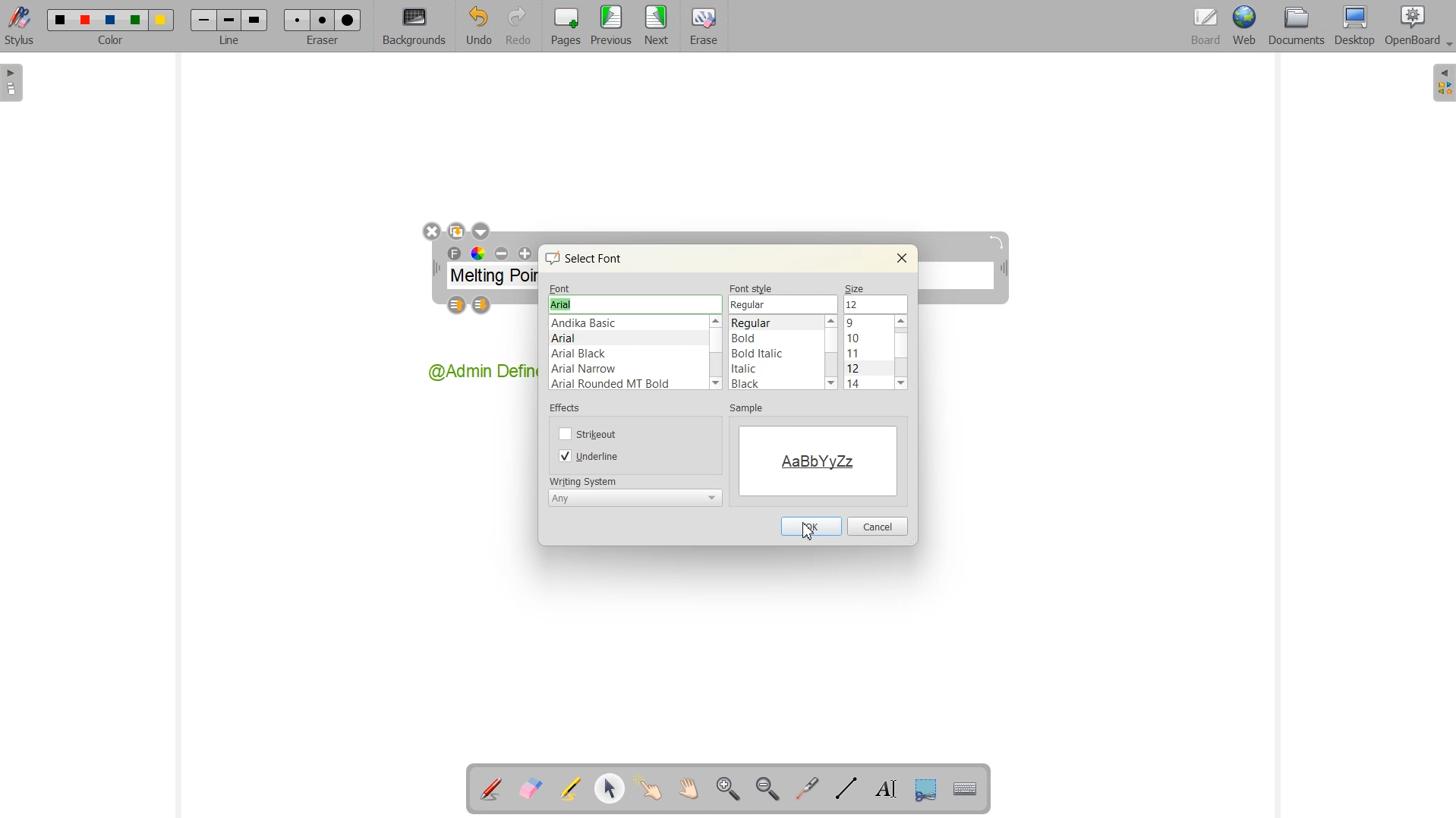 The height and width of the screenshot is (818, 1456). I want to click on Background, so click(414, 27).